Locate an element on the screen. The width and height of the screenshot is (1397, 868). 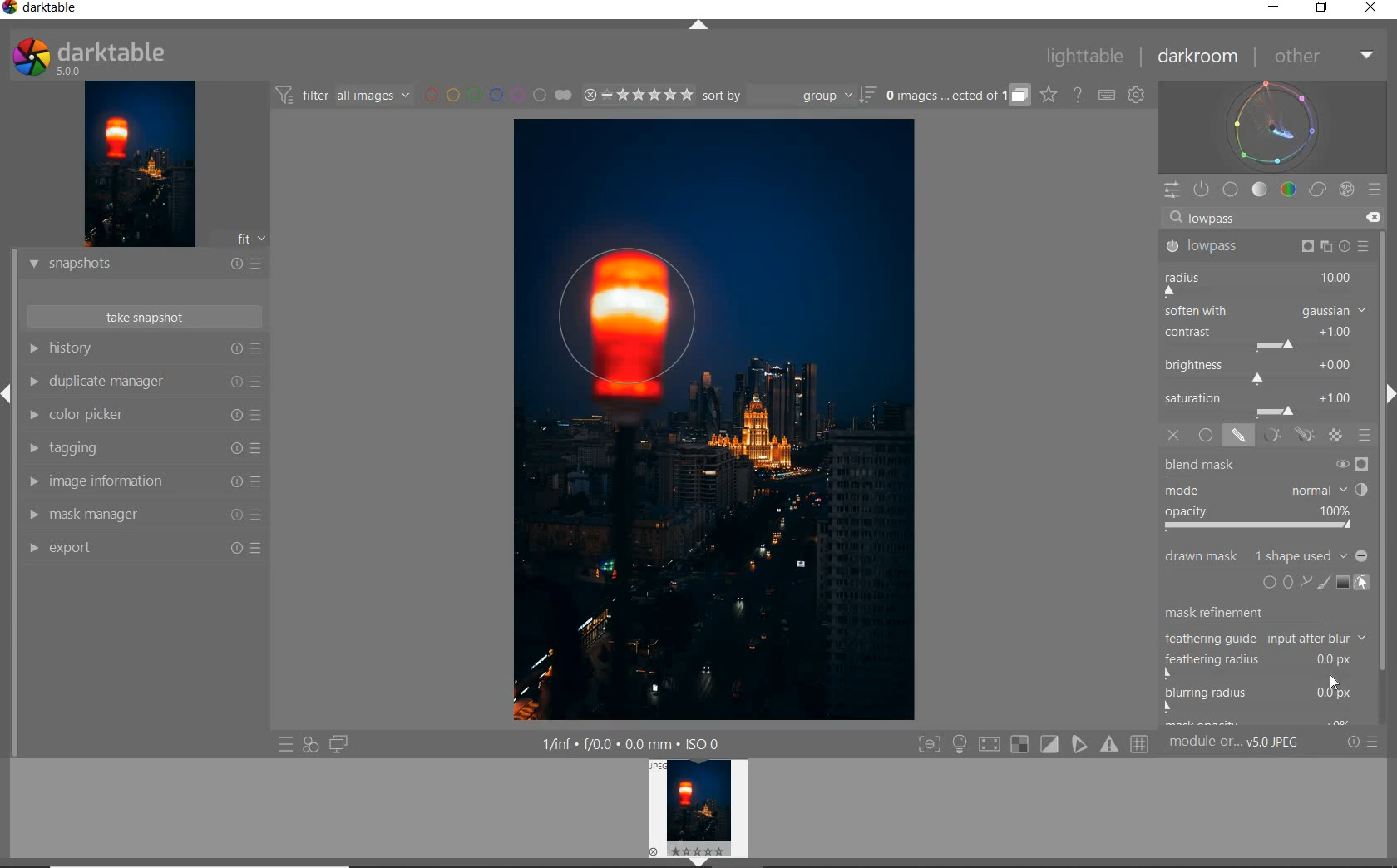
RADIUS is located at coordinates (1263, 282).